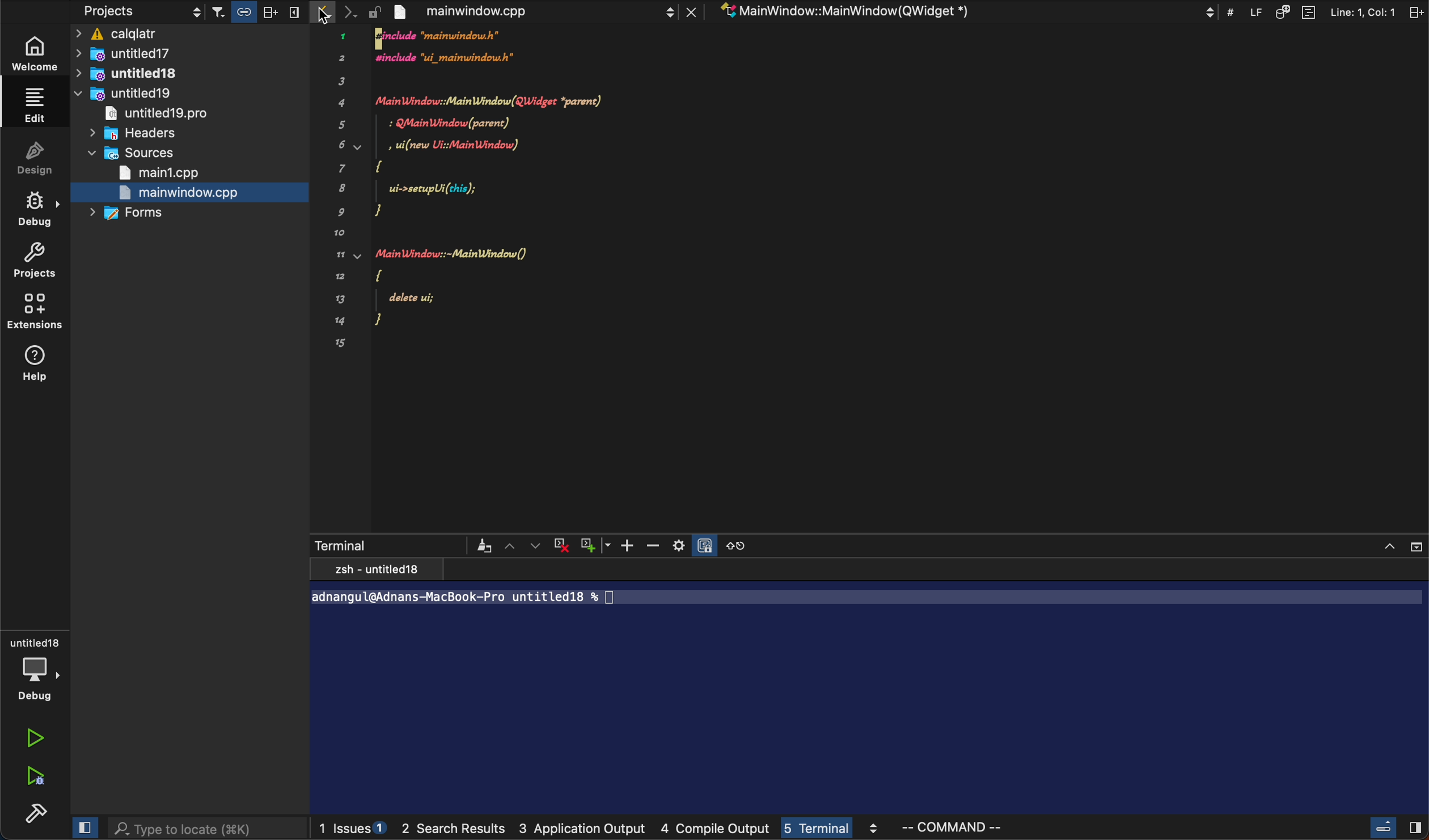 Image resolution: width=1429 pixels, height=840 pixels. Describe the element at coordinates (869, 689) in the screenshot. I see `terminal` at that location.